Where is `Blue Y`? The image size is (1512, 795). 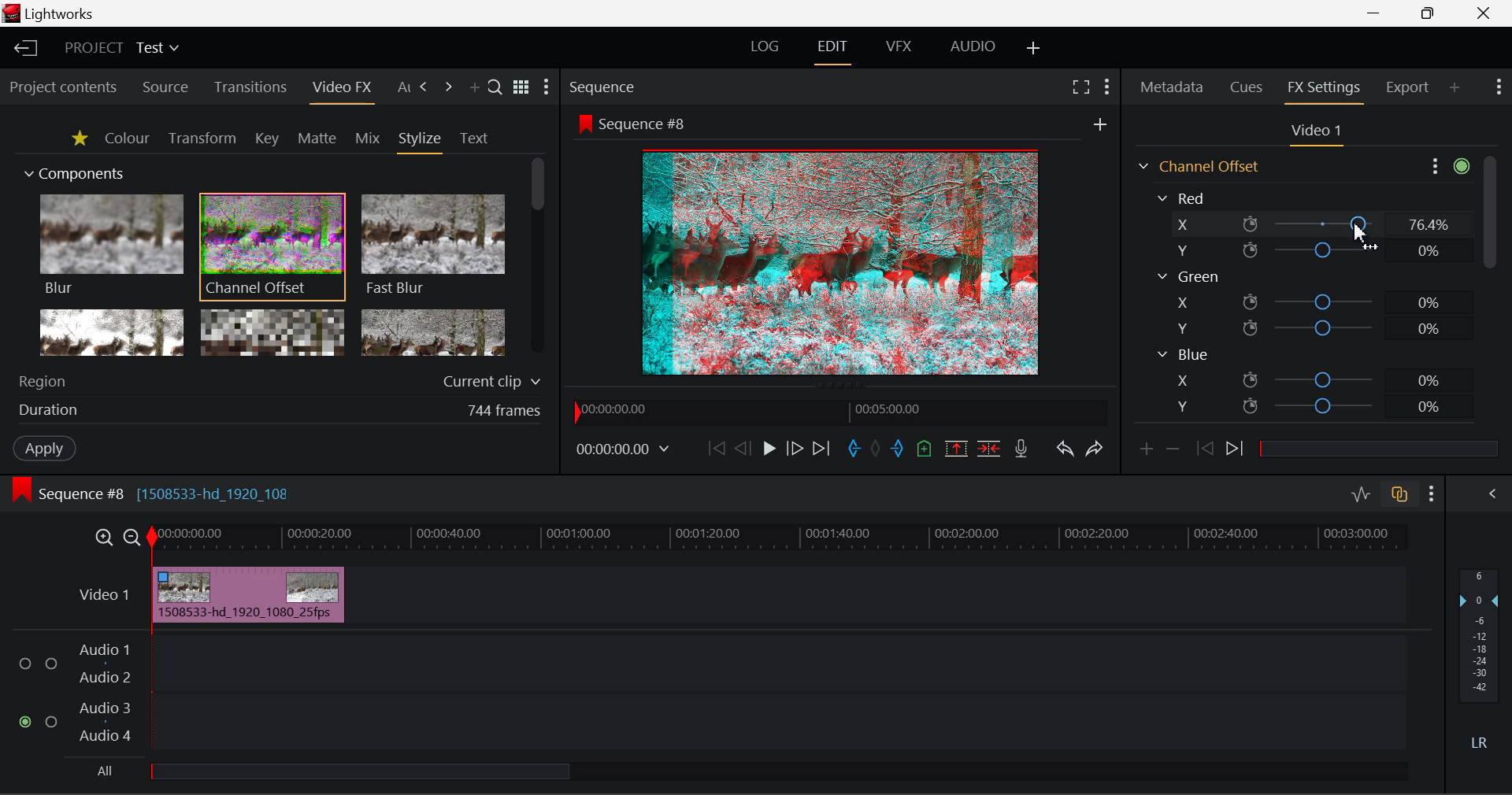
Blue Y is located at coordinates (1313, 405).